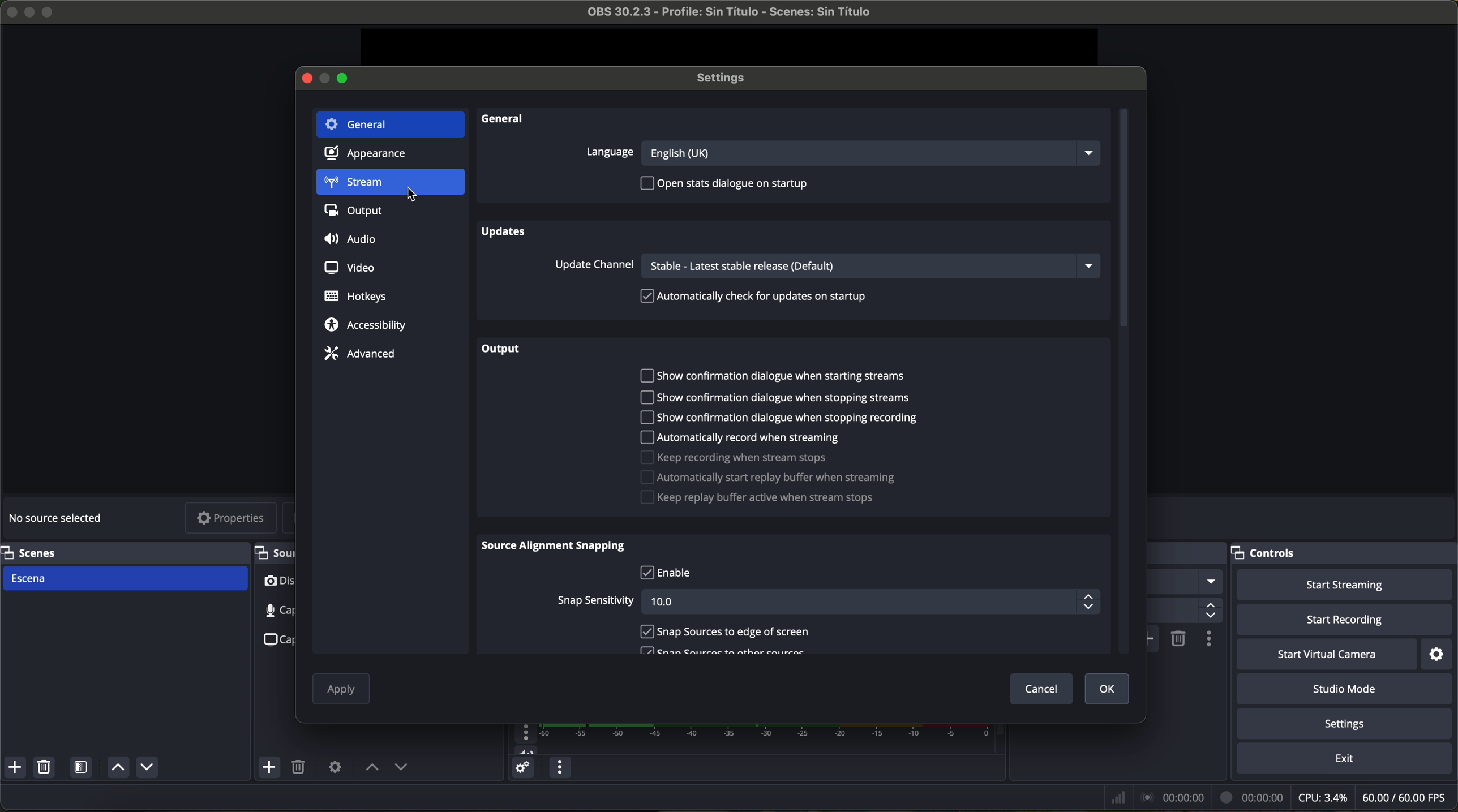  What do you see at coordinates (391, 184) in the screenshot?
I see `click on stream` at bounding box center [391, 184].